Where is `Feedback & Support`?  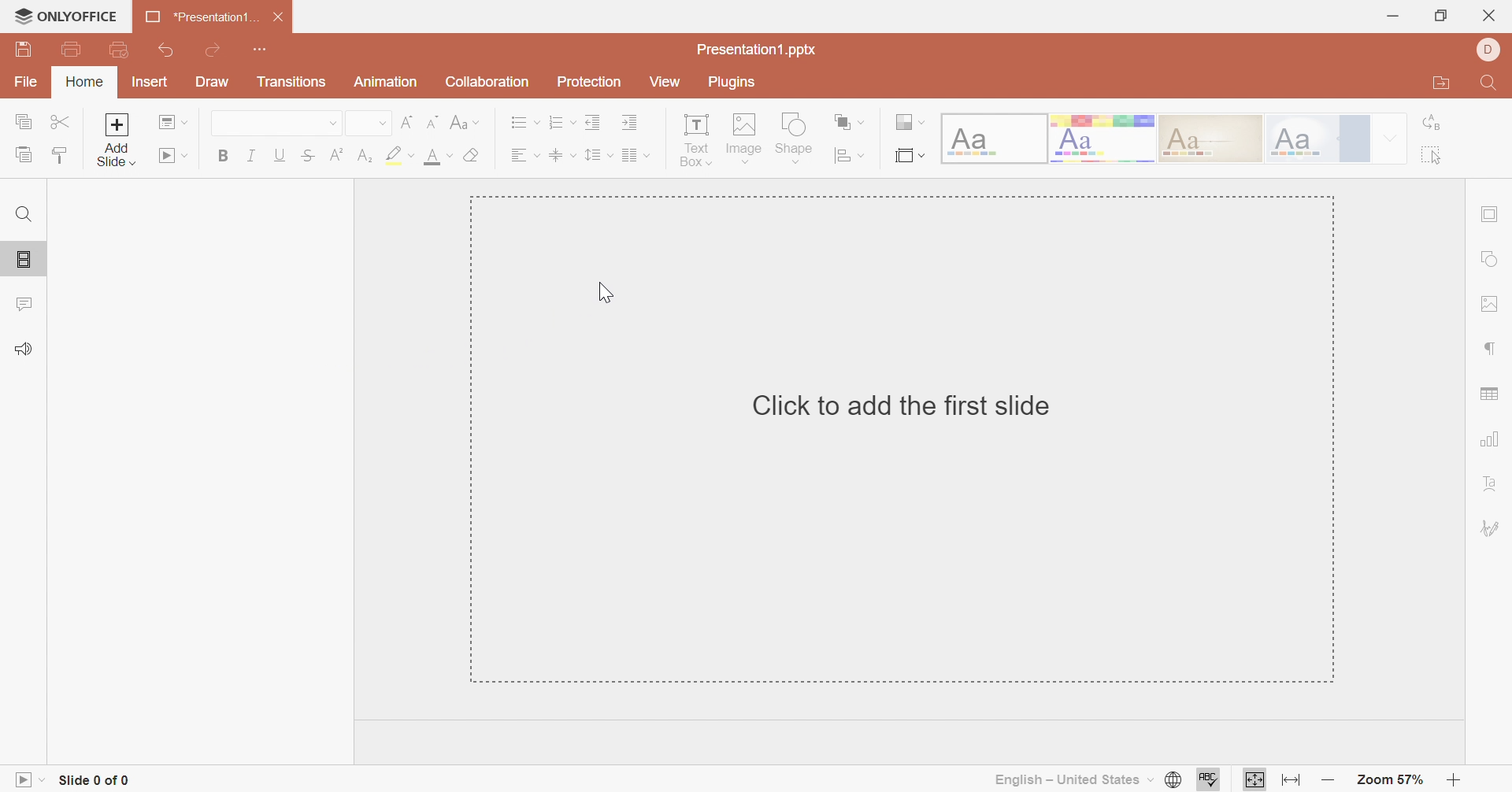 Feedback & Support is located at coordinates (27, 346).